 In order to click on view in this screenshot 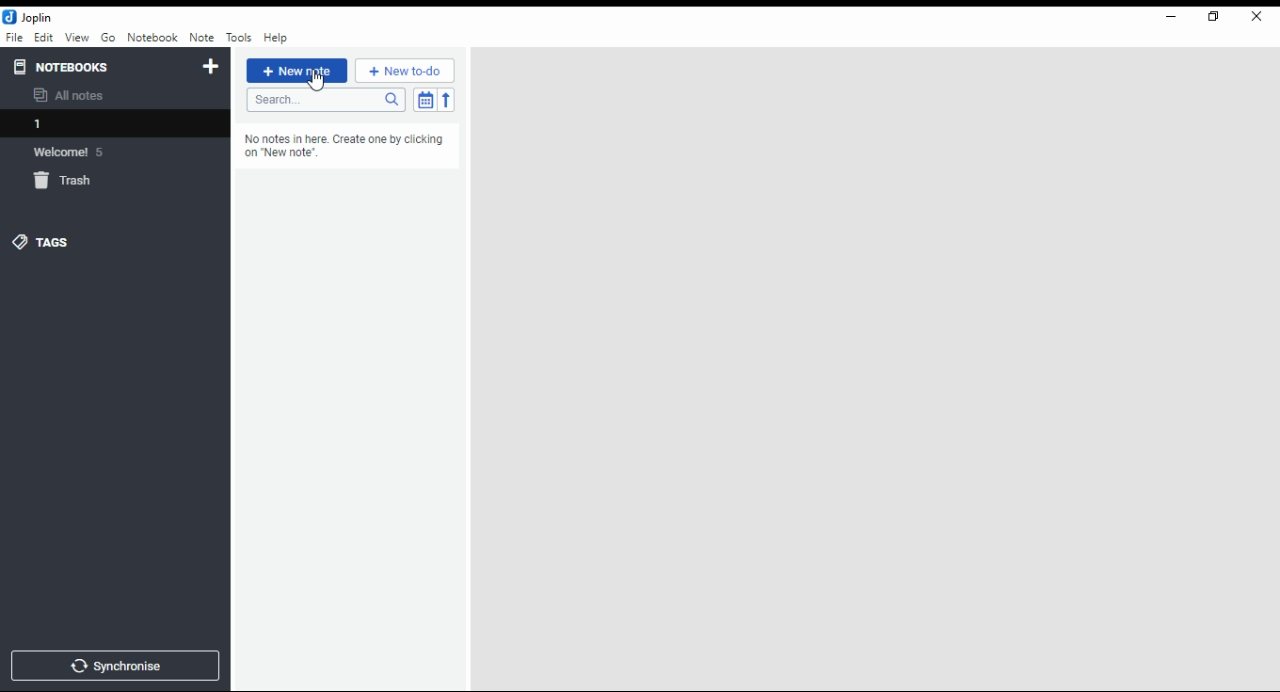, I will do `click(76, 38)`.